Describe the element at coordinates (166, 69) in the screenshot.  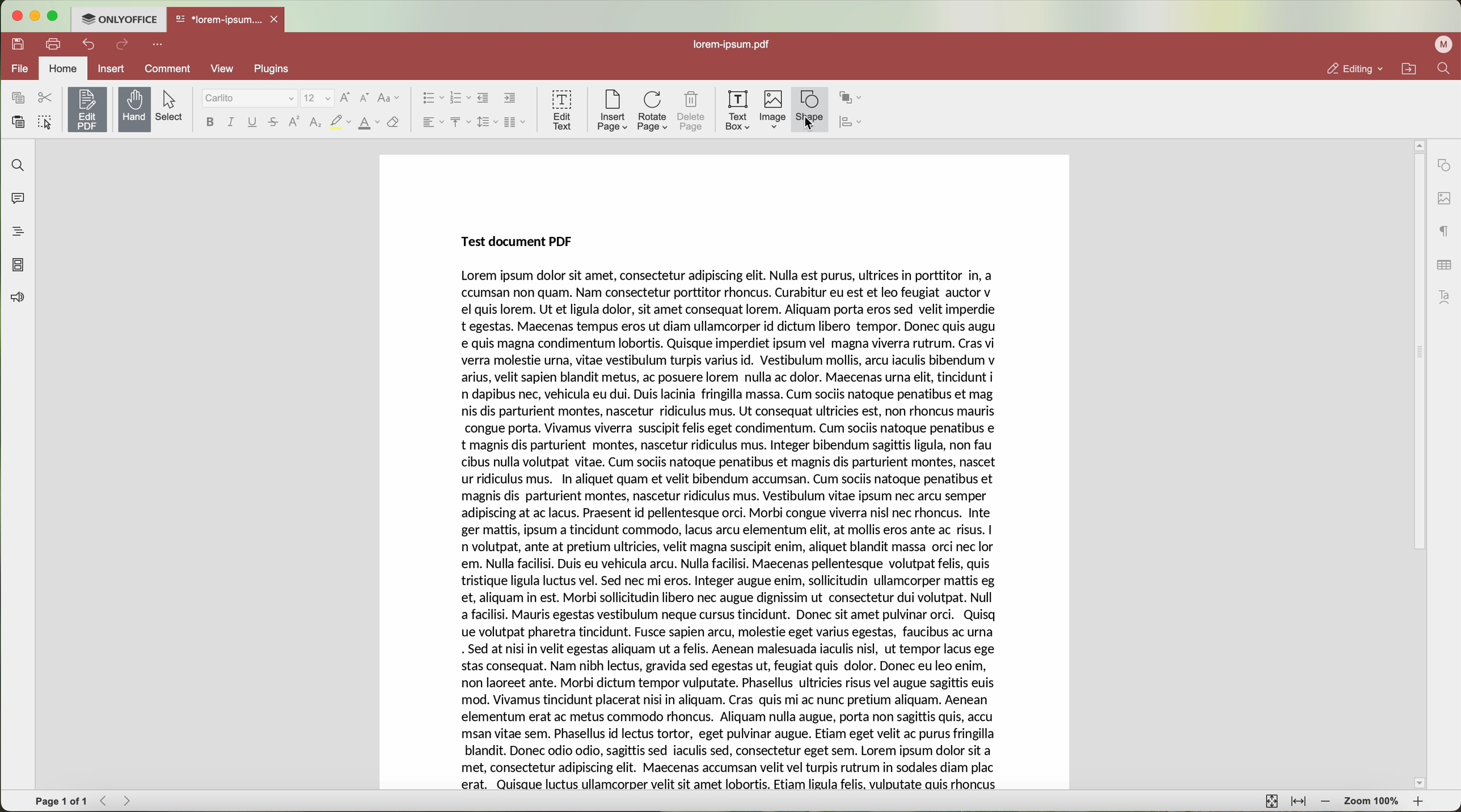
I see `comment` at that location.